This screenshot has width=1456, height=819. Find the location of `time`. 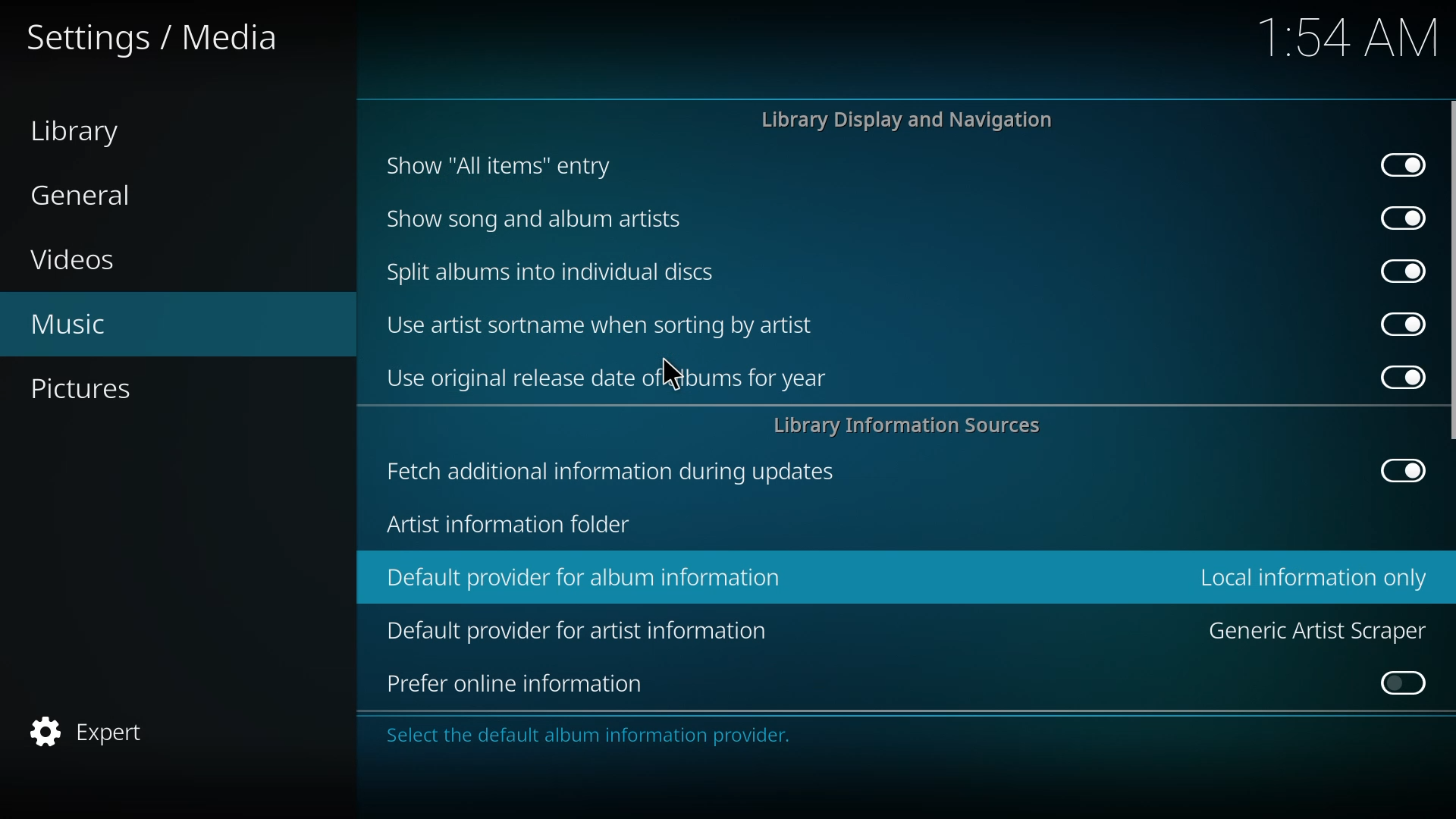

time is located at coordinates (1348, 36).